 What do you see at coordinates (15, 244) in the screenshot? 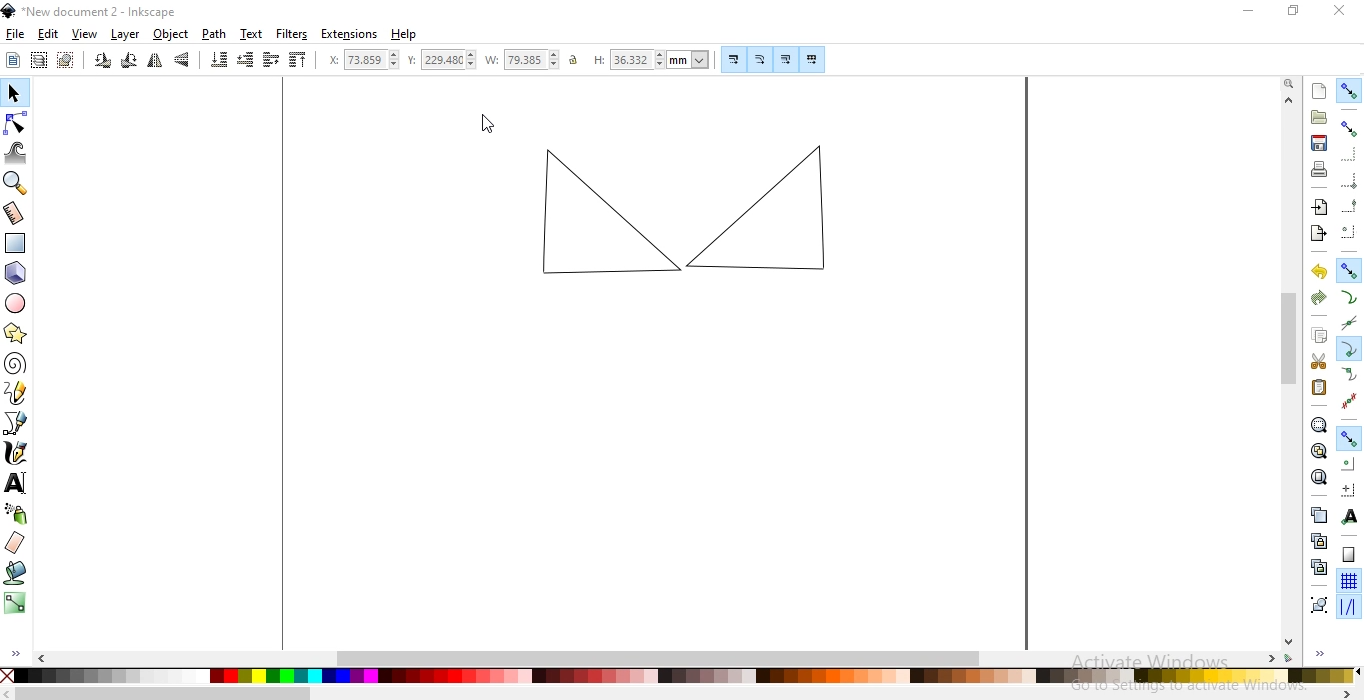
I see `create rectangles or squares` at bounding box center [15, 244].